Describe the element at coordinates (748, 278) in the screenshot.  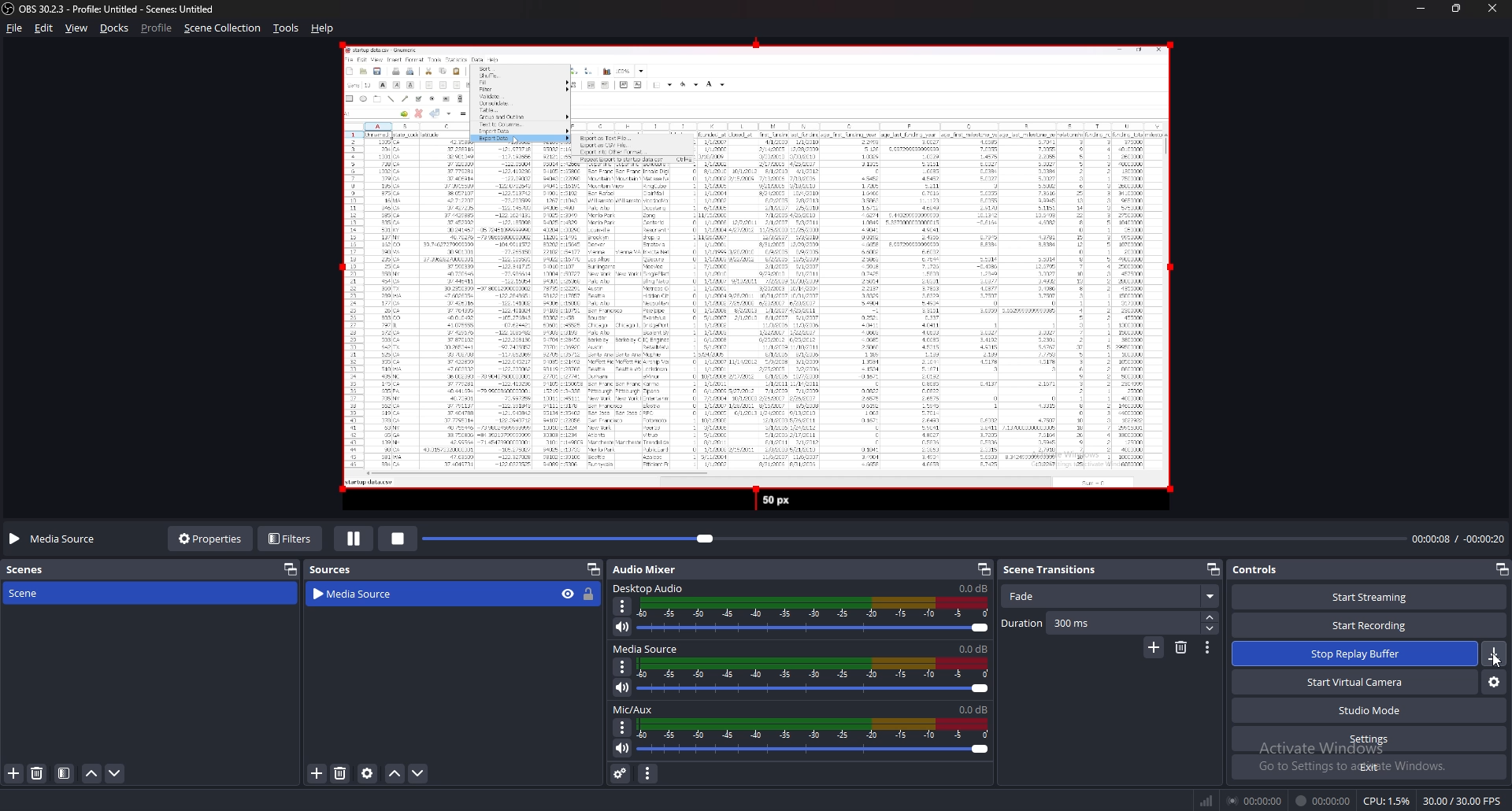
I see `media` at that location.